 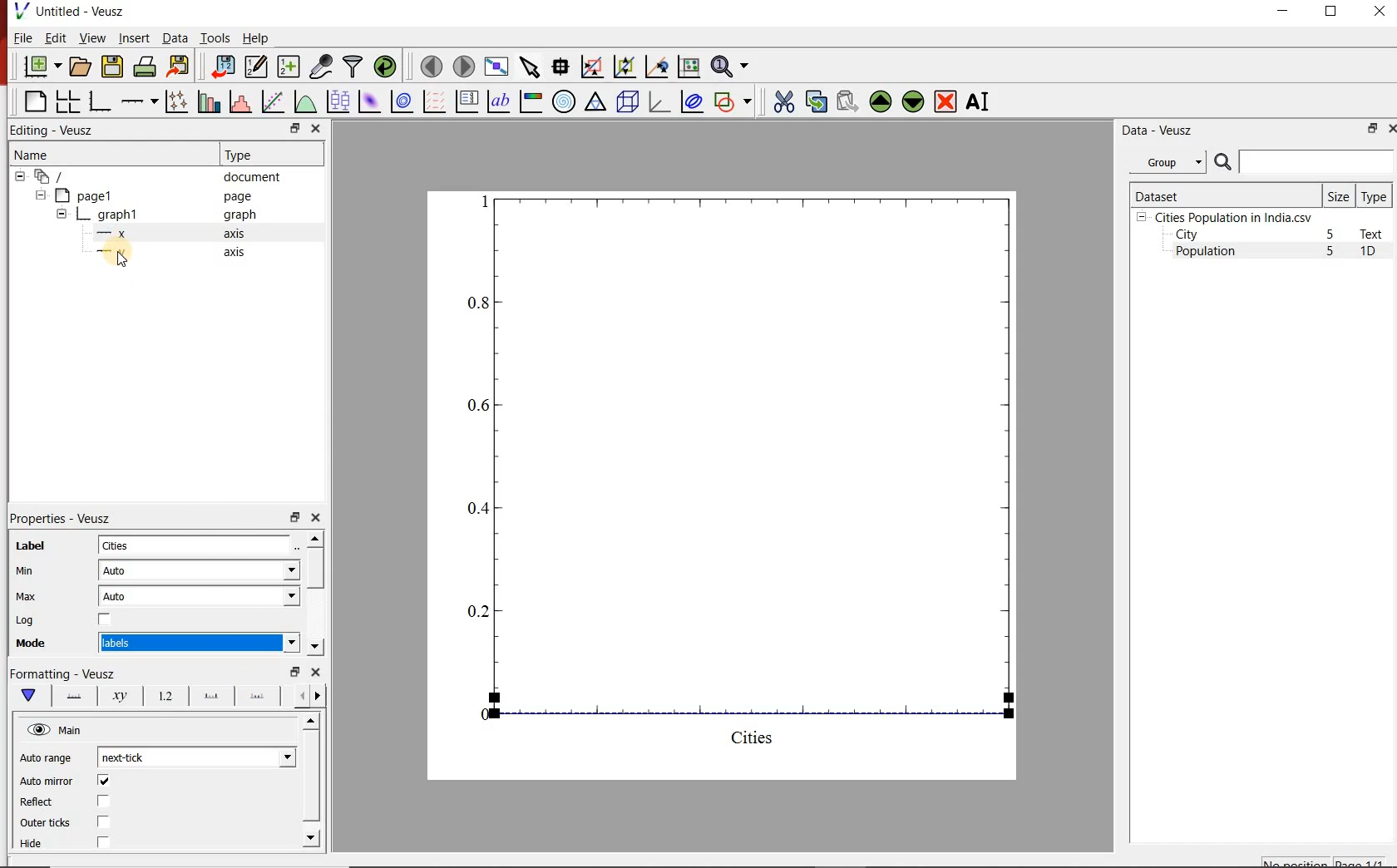 I want to click on read data points on the graph, so click(x=560, y=65).